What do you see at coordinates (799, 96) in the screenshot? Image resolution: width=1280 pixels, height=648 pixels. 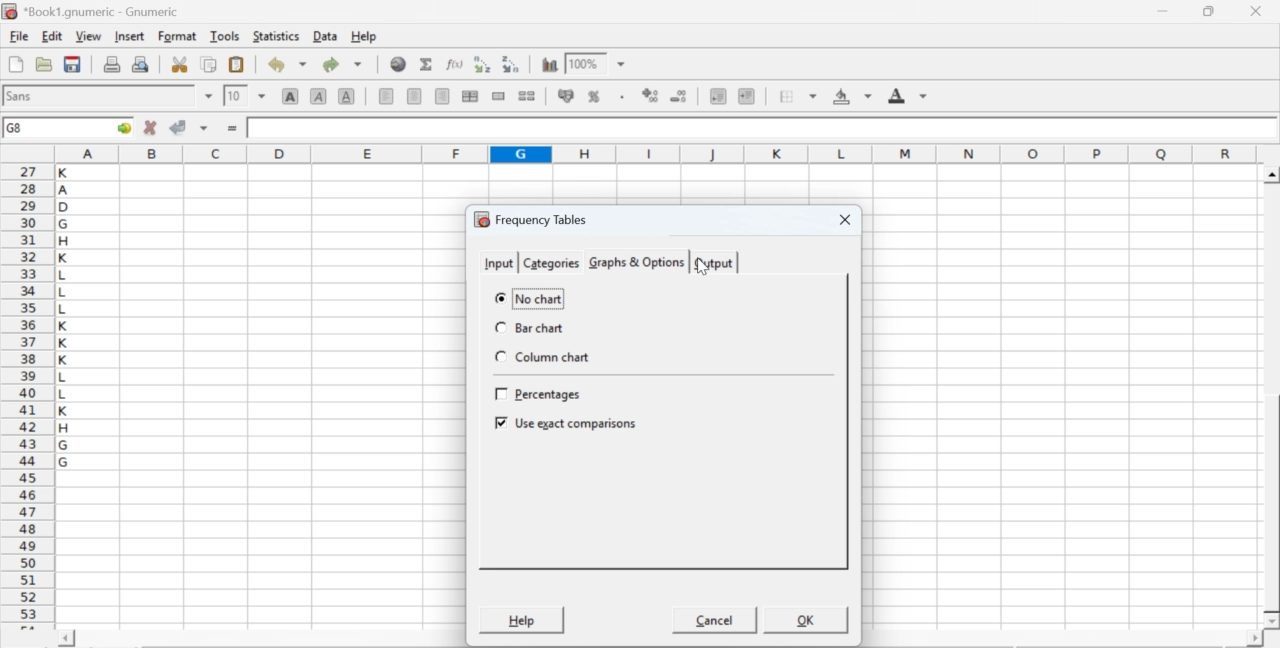 I see `borders` at bounding box center [799, 96].